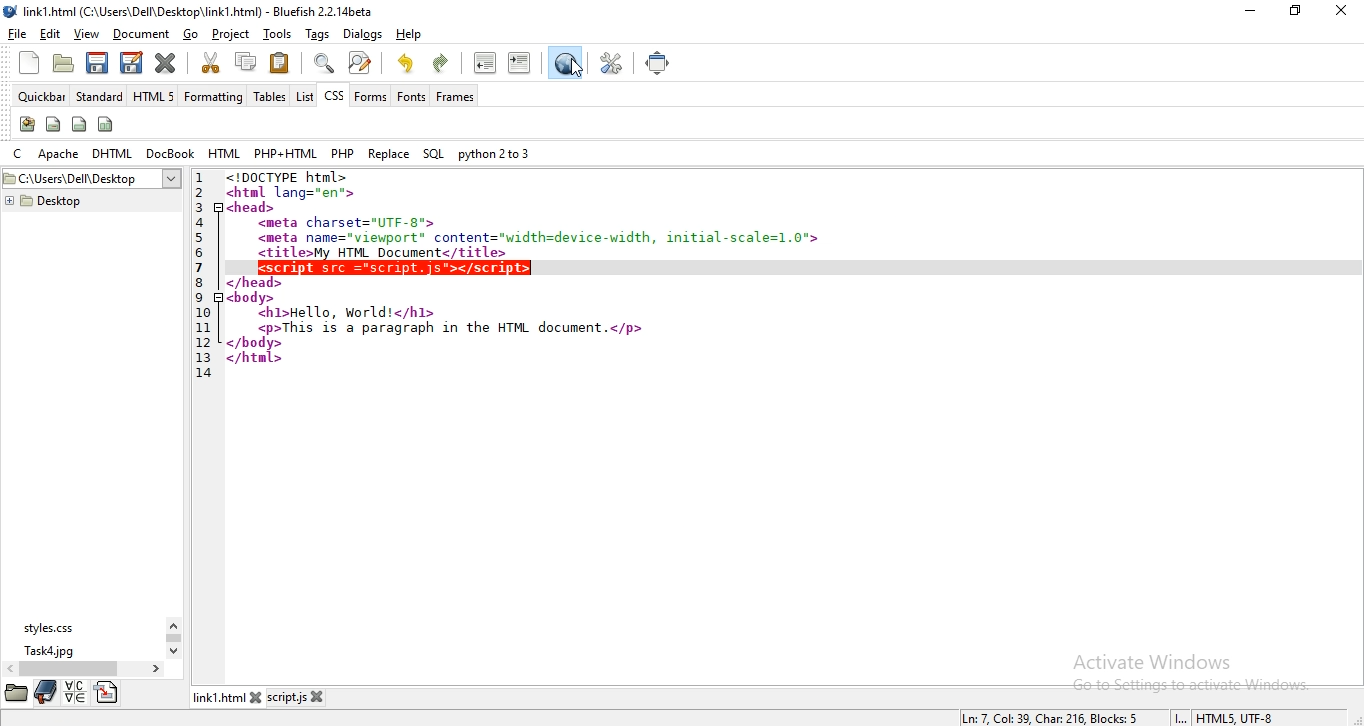 The width and height of the screenshot is (1364, 726). Describe the element at coordinates (1340, 11) in the screenshot. I see `close` at that location.